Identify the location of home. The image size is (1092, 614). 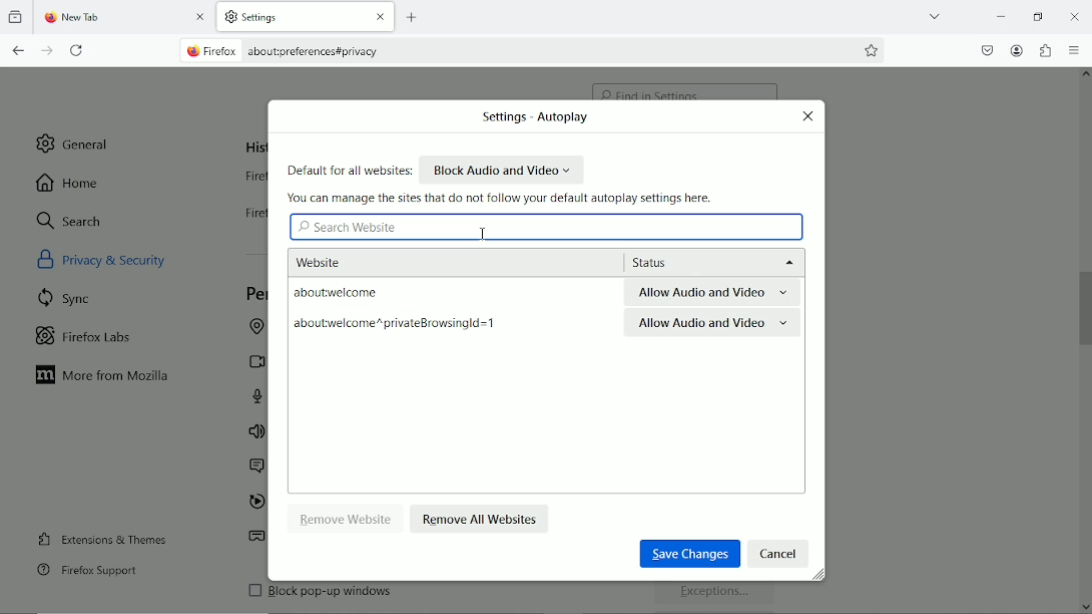
(69, 182).